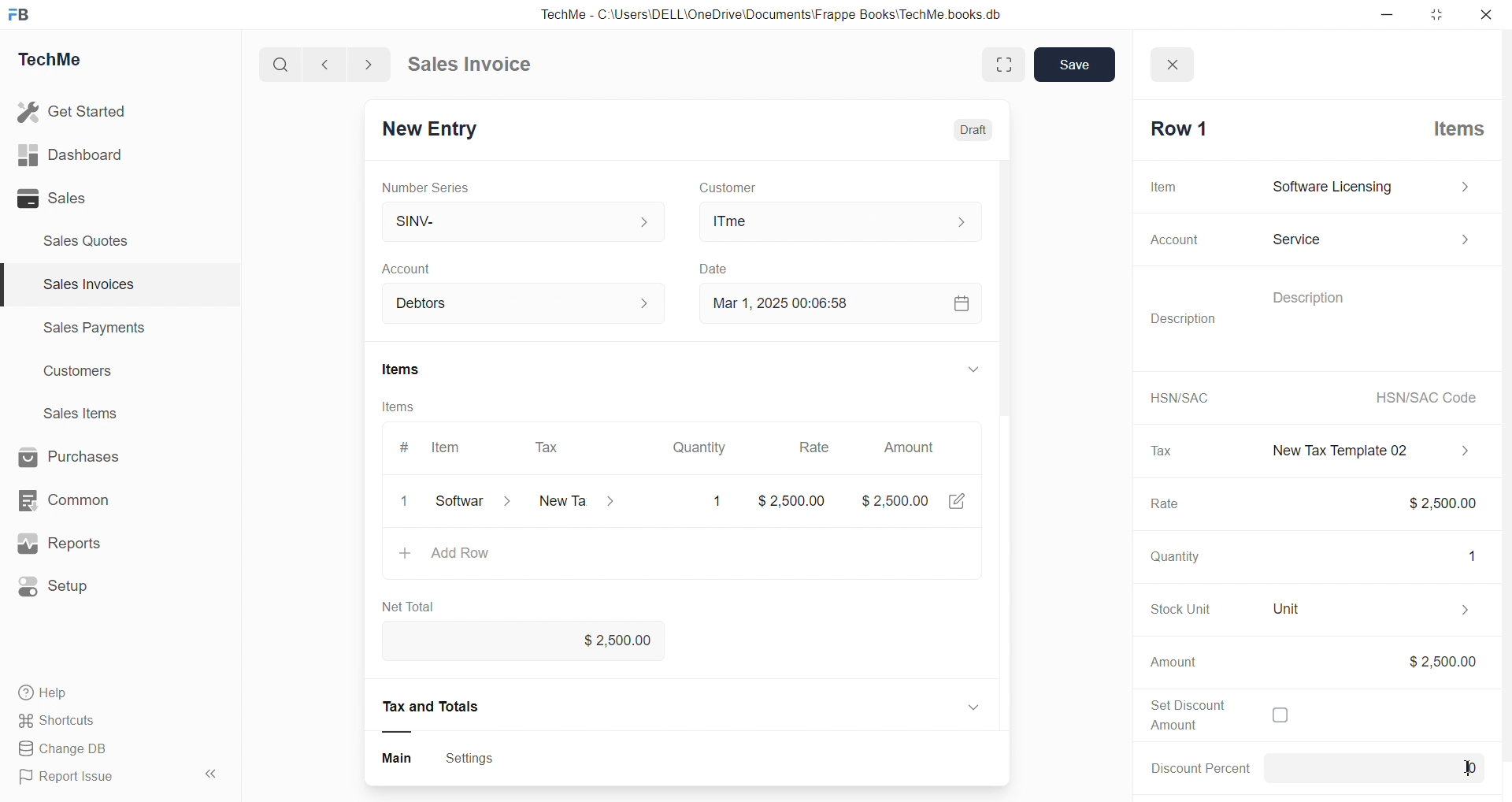 The height and width of the screenshot is (802, 1512). I want to click on Increase decrease button, so click(644, 302).